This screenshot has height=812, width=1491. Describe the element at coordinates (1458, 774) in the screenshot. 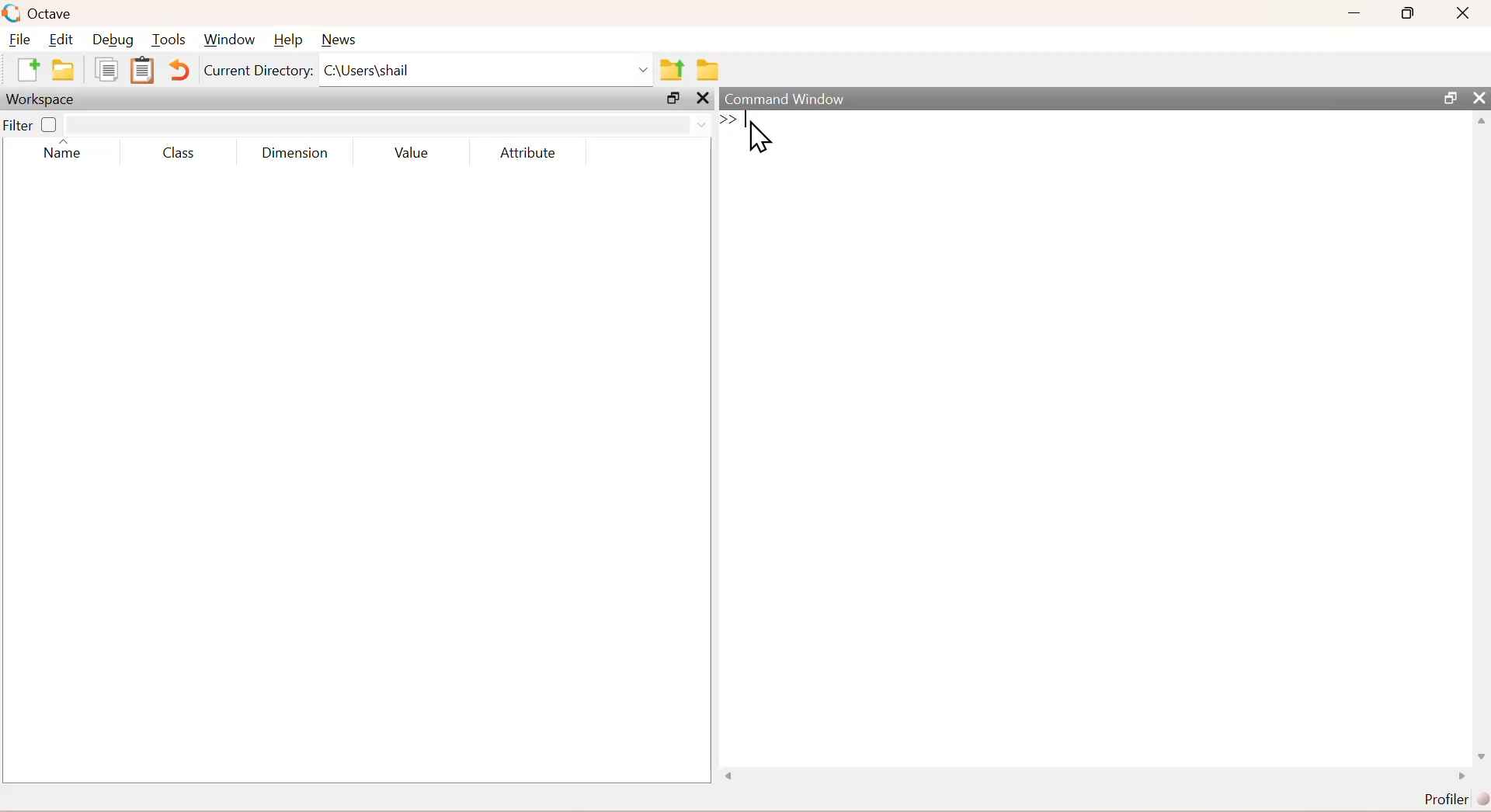

I see `Right` at that location.